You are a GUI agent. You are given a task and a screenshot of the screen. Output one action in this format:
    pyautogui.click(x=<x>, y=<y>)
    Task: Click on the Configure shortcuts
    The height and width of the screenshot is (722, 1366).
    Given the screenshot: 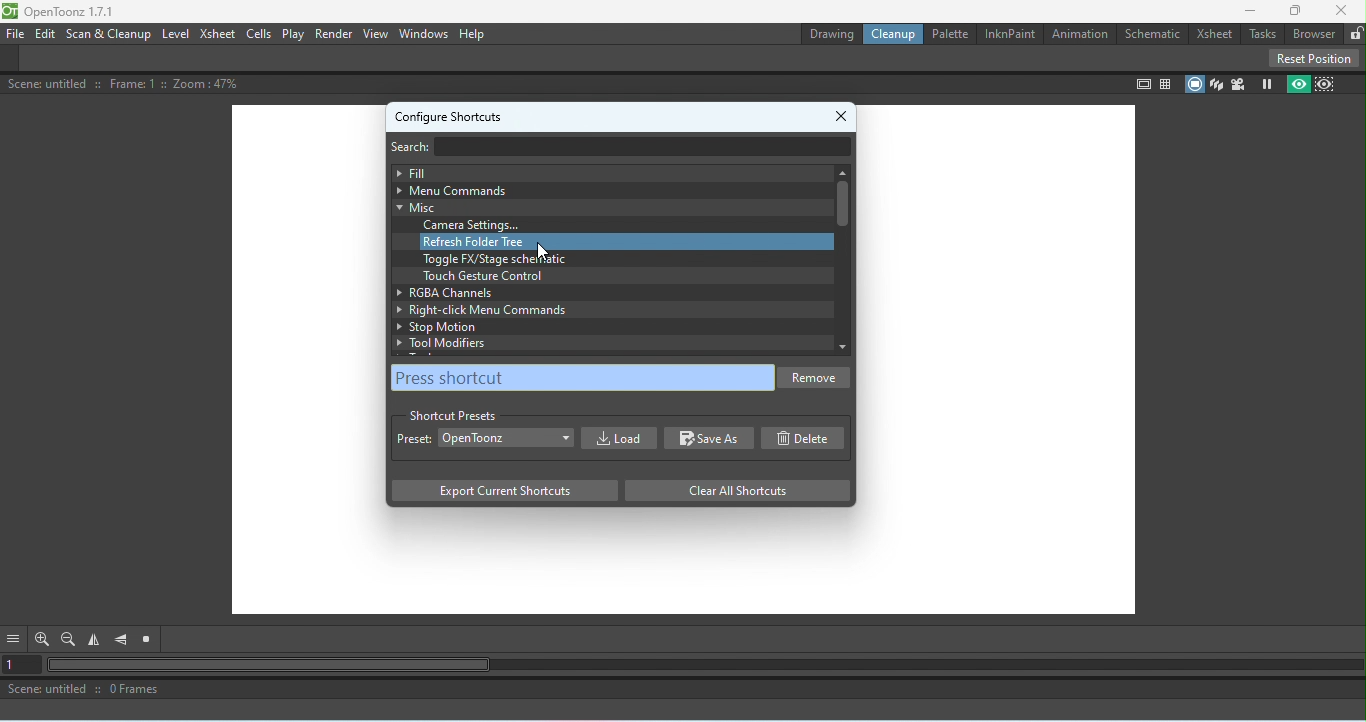 What is the action you would take?
    pyautogui.click(x=449, y=114)
    